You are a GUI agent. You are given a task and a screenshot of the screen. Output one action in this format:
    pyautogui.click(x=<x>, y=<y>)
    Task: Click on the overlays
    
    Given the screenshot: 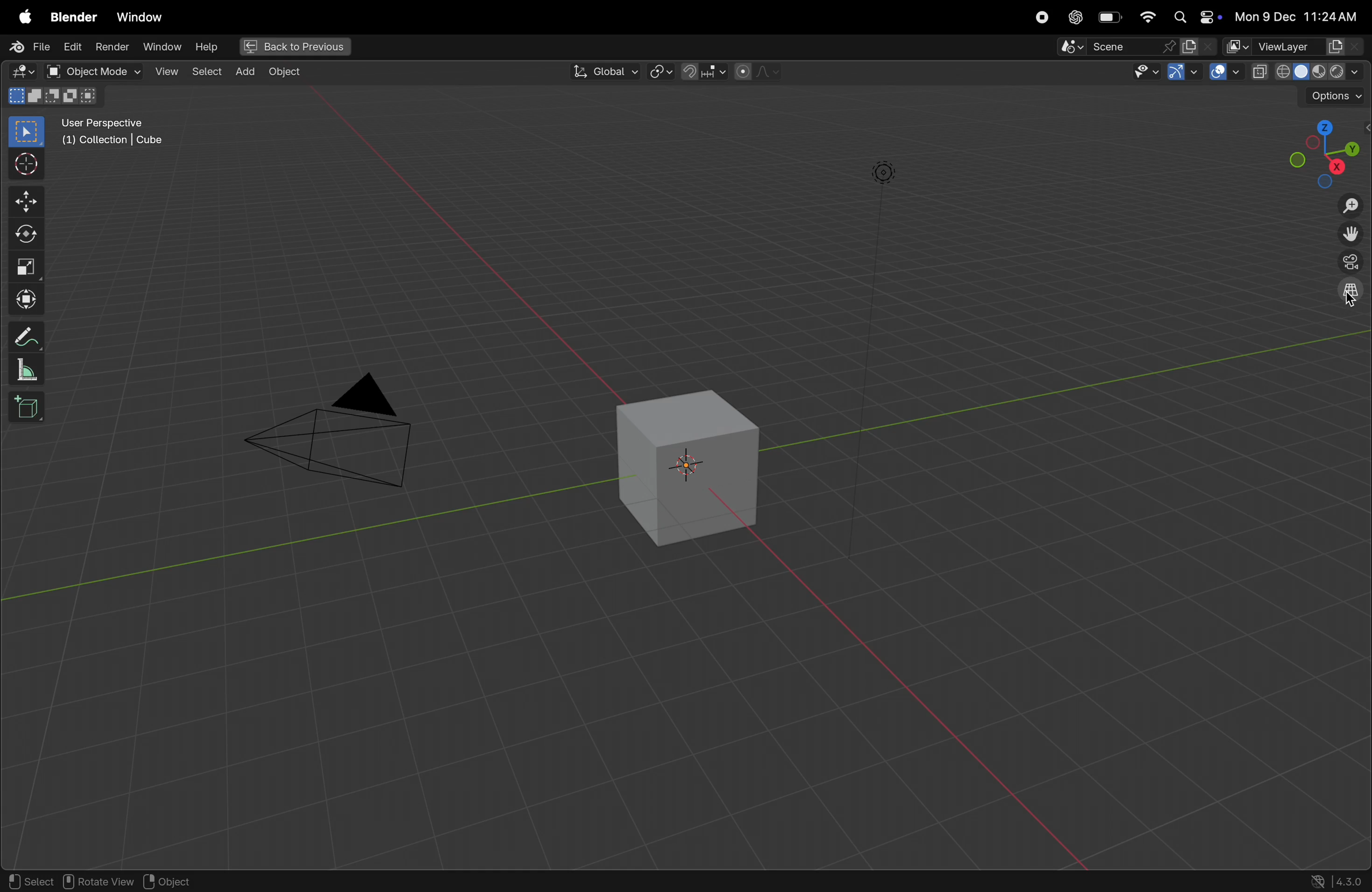 What is the action you would take?
    pyautogui.click(x=1225, y=71)
    